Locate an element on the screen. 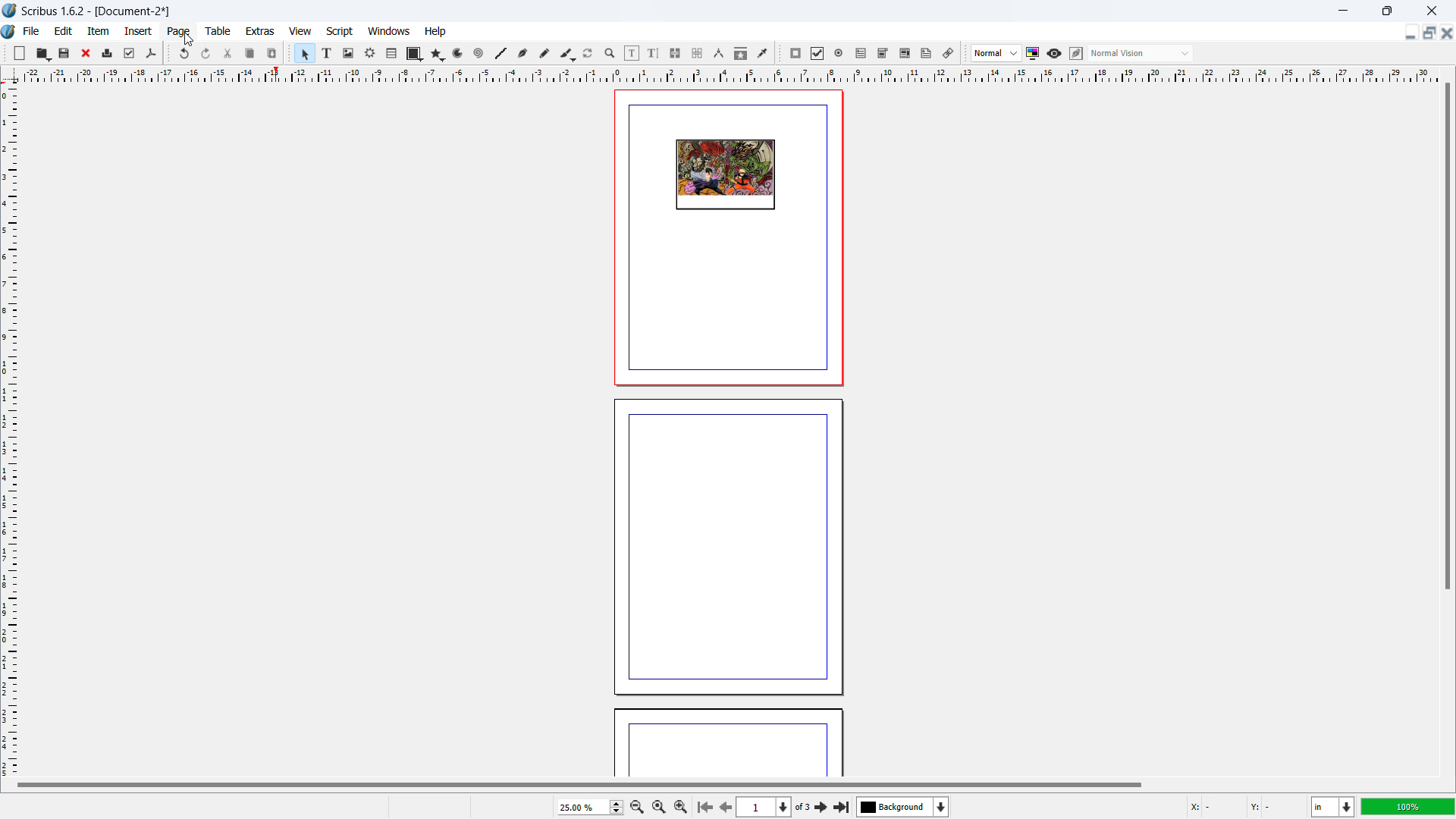  save as pdf is located at coordinates (150, 54).